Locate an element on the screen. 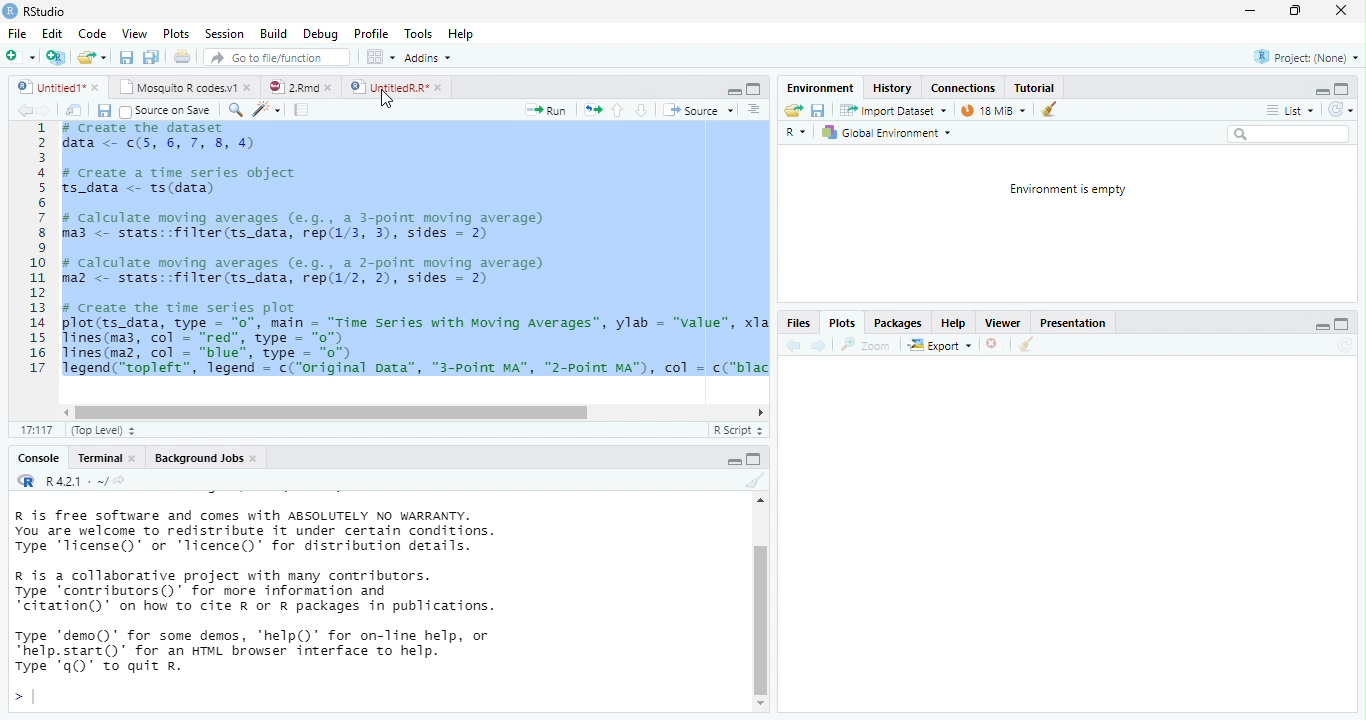  horizontal scrollbar is located at coordinates (332, 412).